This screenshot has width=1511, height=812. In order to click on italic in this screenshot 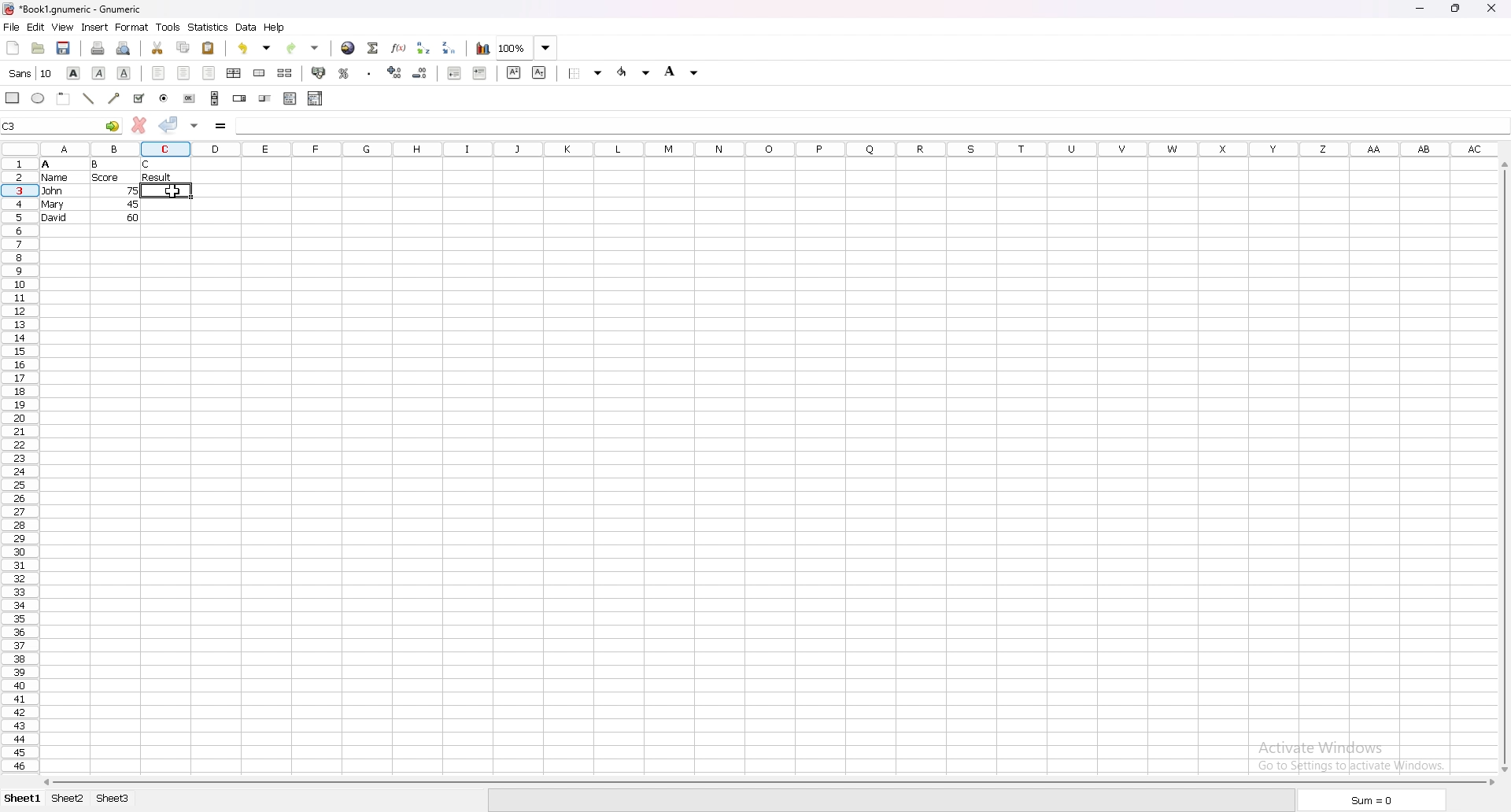, I will do `click(101, 73)`.